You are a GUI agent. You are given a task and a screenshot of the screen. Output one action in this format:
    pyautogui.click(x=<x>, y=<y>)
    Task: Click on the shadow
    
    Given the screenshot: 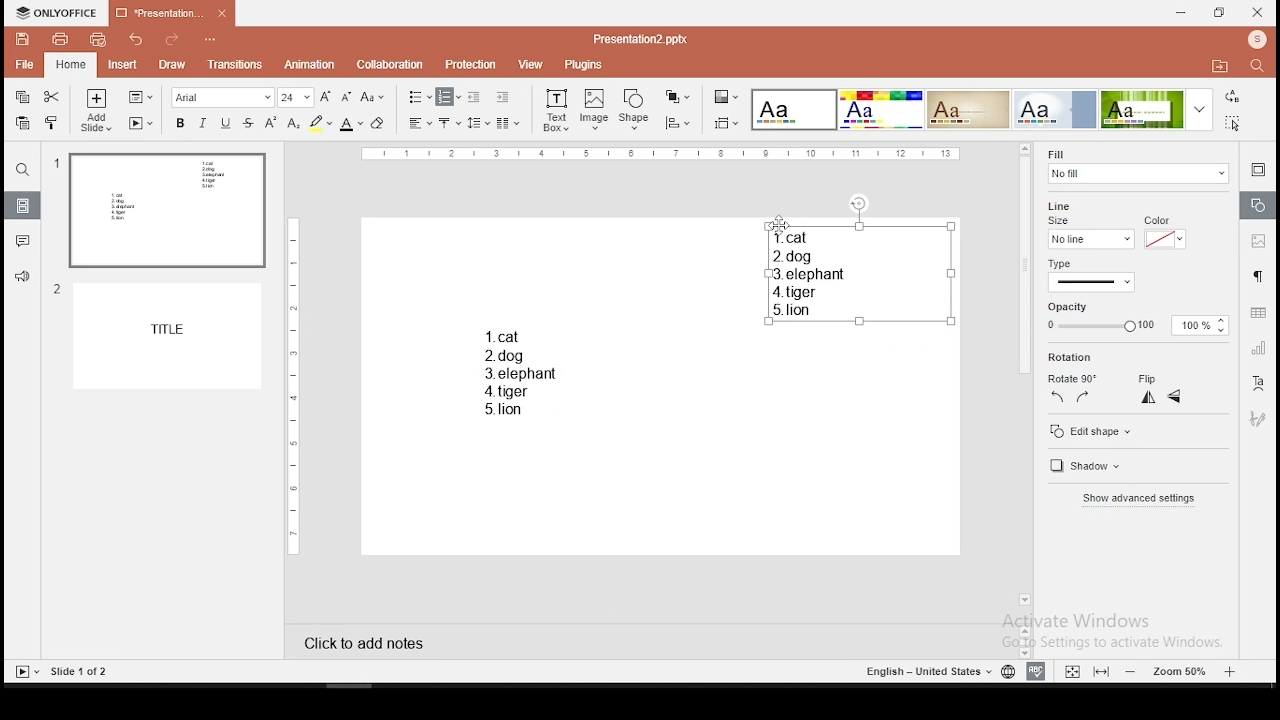 What is the action you would take?
    pyautogui.click(x=1098, y=467)
    